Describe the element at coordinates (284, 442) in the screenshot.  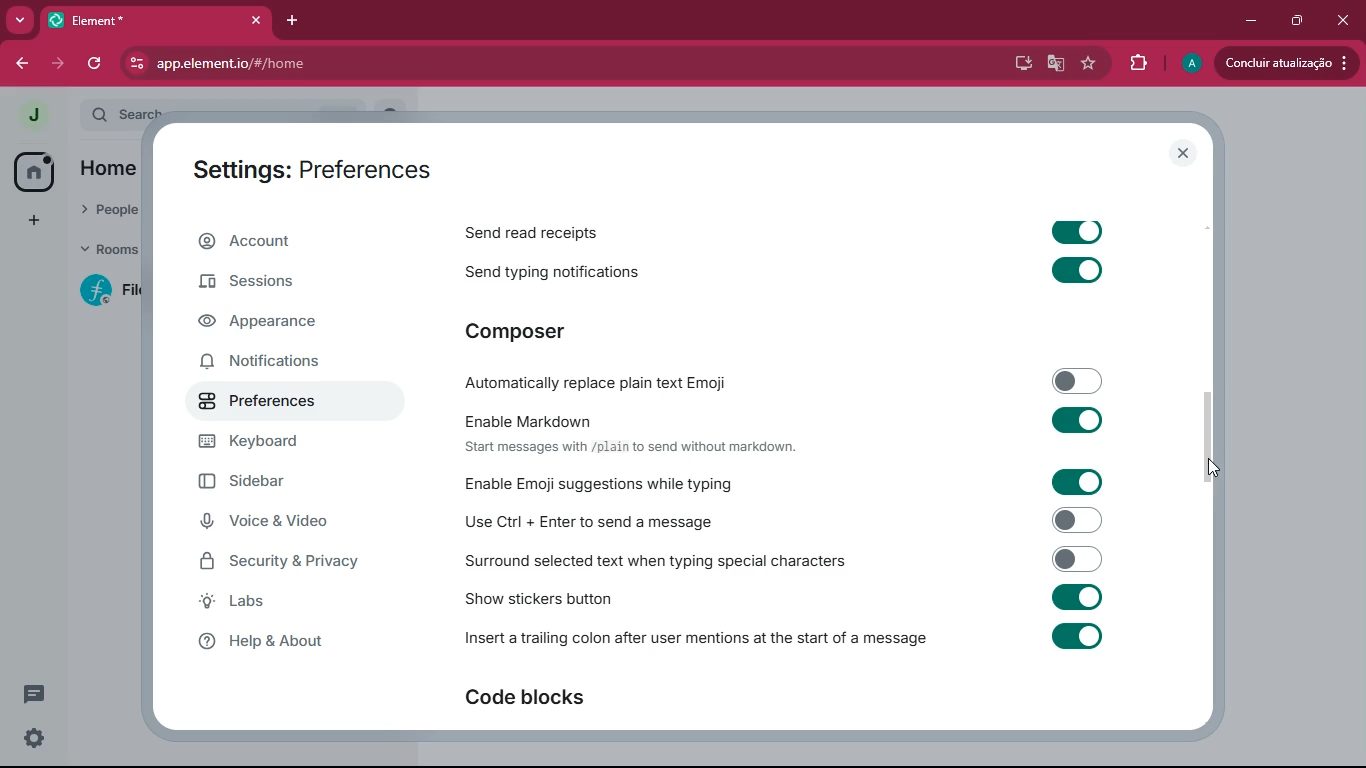
I see `keyboard` at that location.